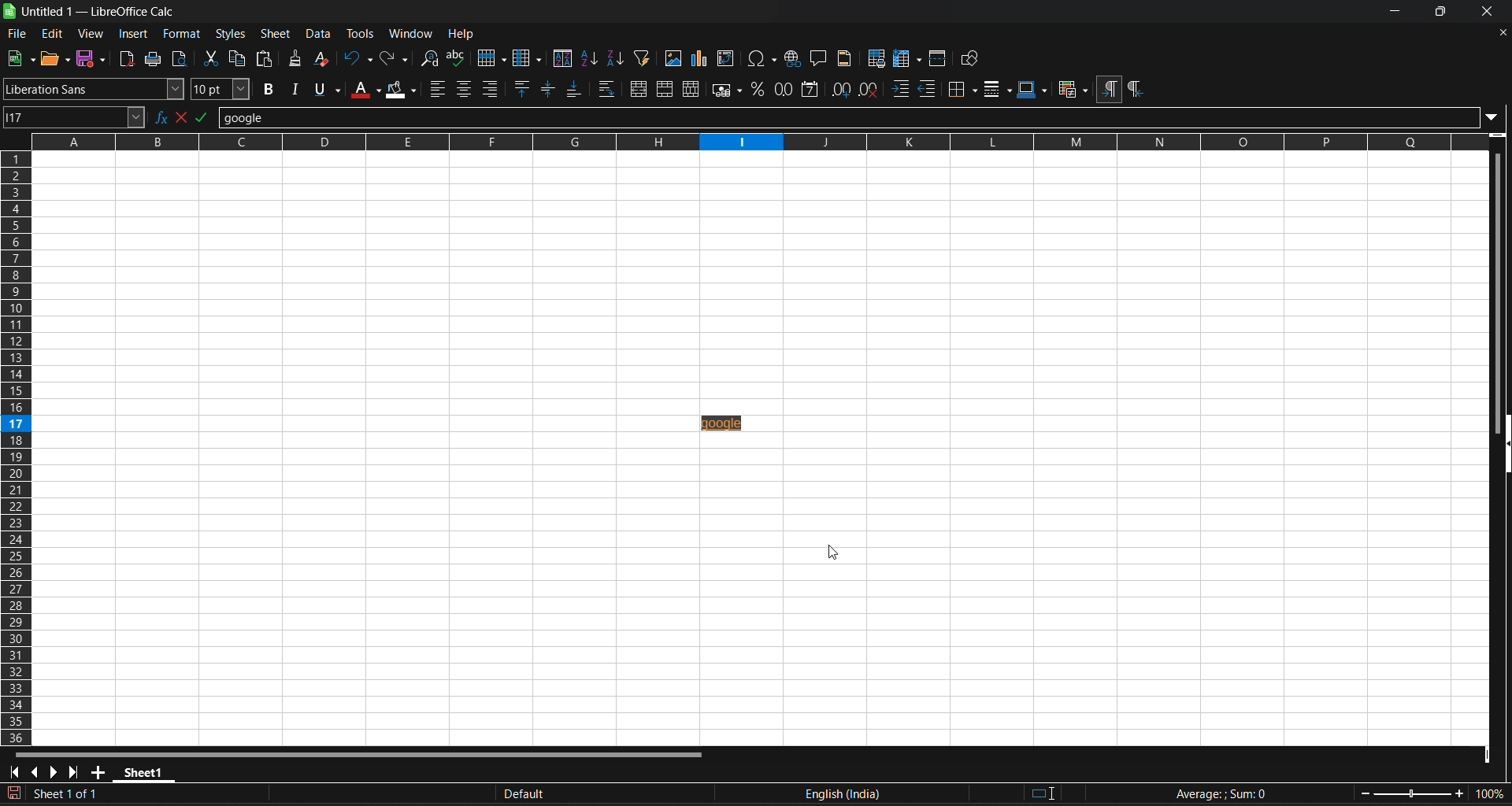 This screenshot has height=806, width=1512. I want to click on format as percent, so click(757, 90).